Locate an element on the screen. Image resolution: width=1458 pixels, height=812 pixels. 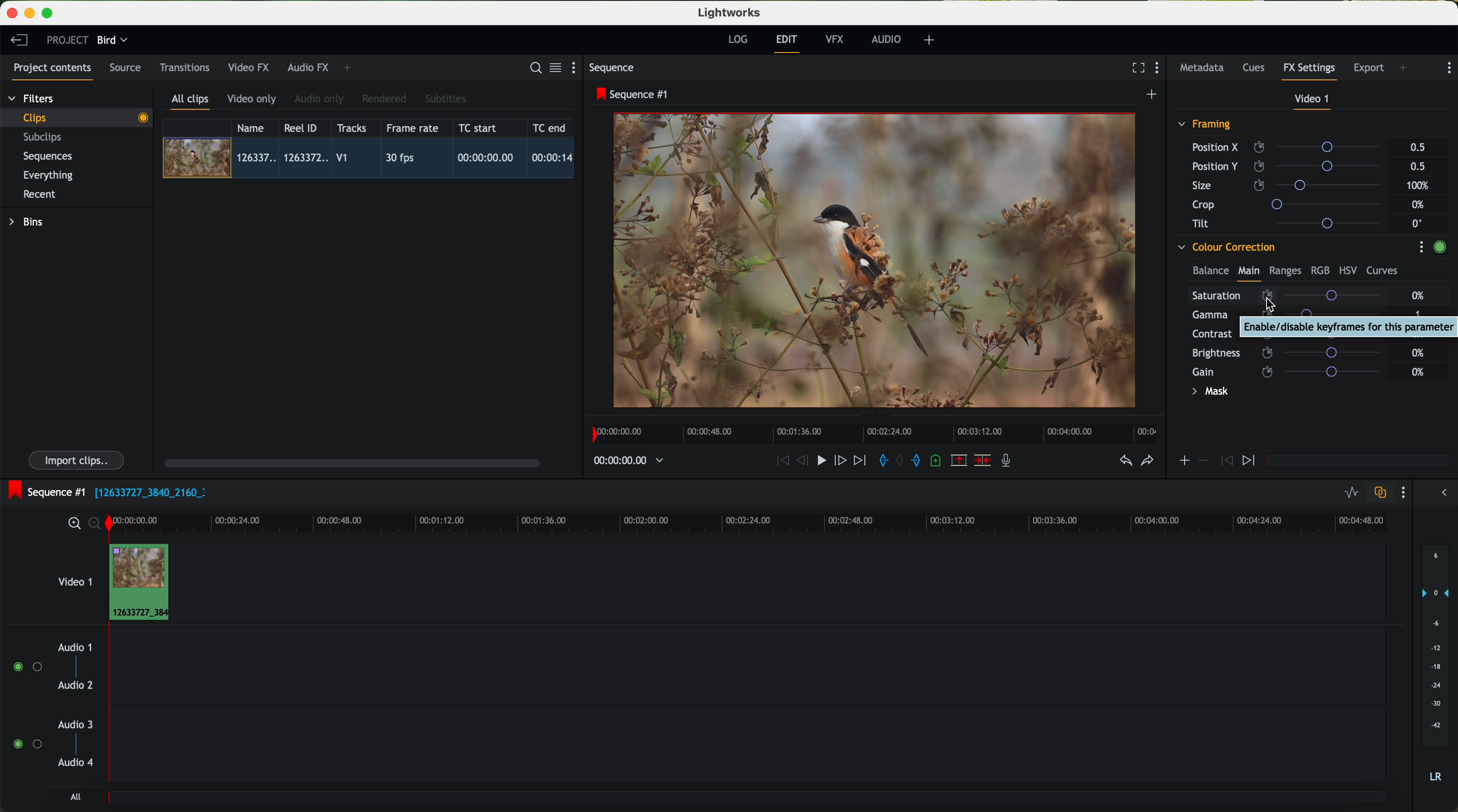
icon is located at coordinates (1203, 461).